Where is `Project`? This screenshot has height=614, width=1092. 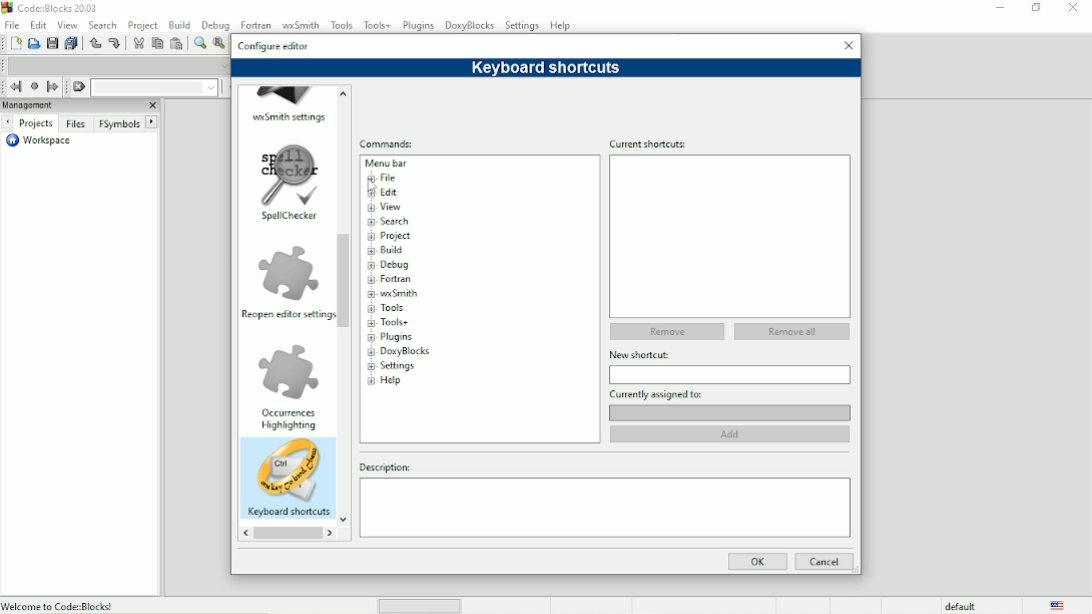 Project is located at coordinates (142, 24).